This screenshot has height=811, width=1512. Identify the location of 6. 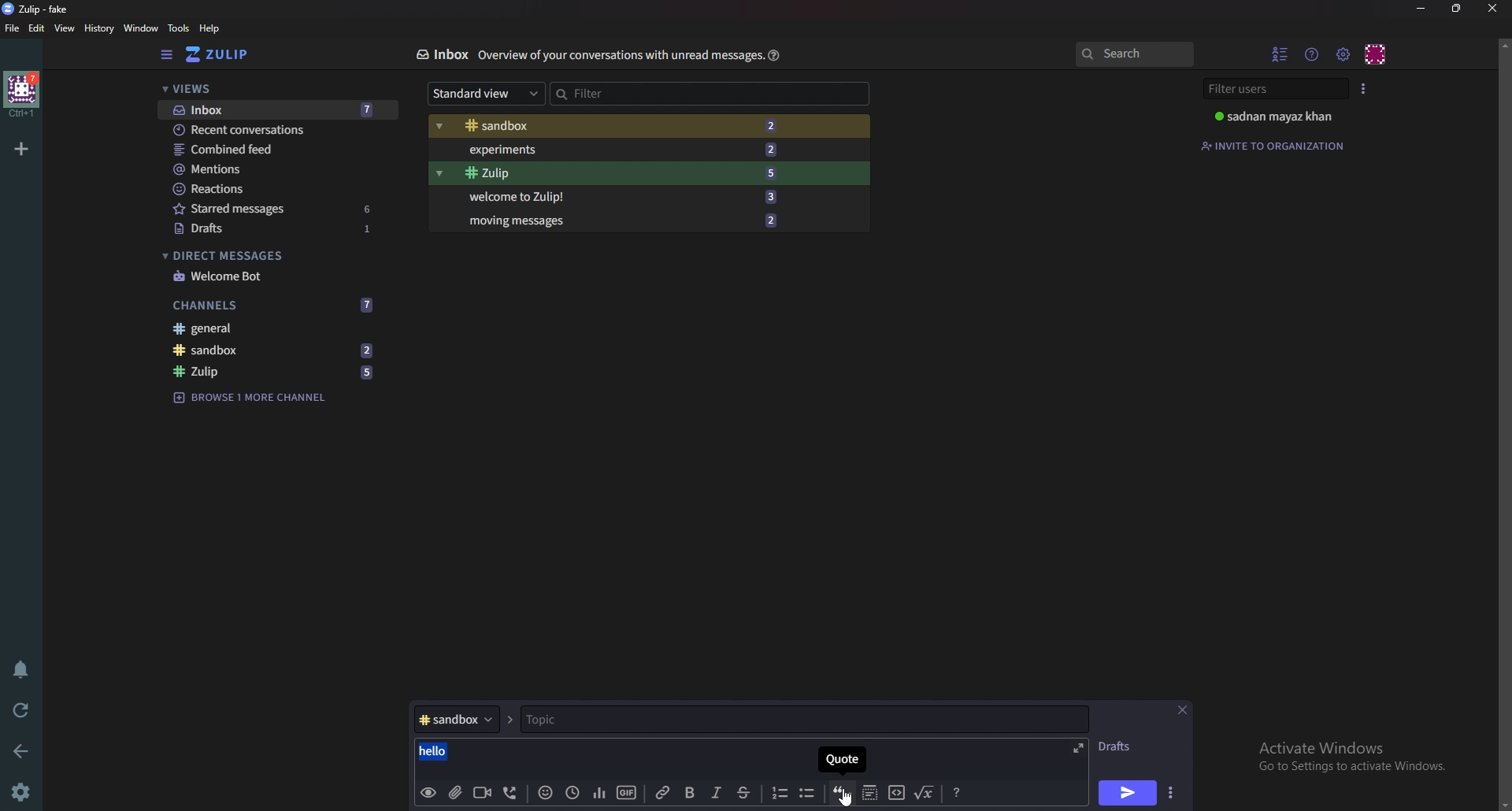
(371, 207).